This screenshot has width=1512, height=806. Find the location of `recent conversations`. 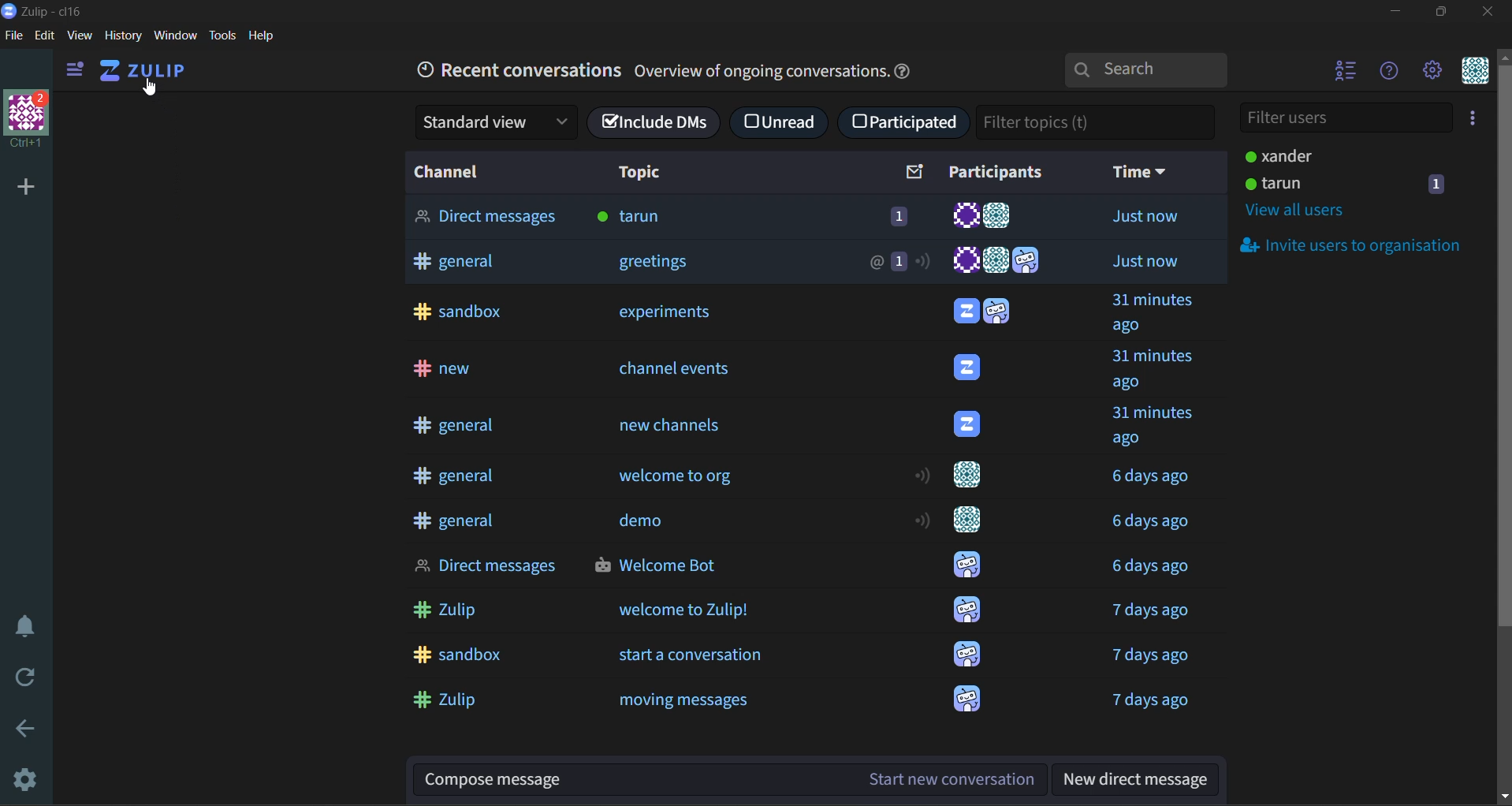

recent conversations is located at coordinates (515, 72).